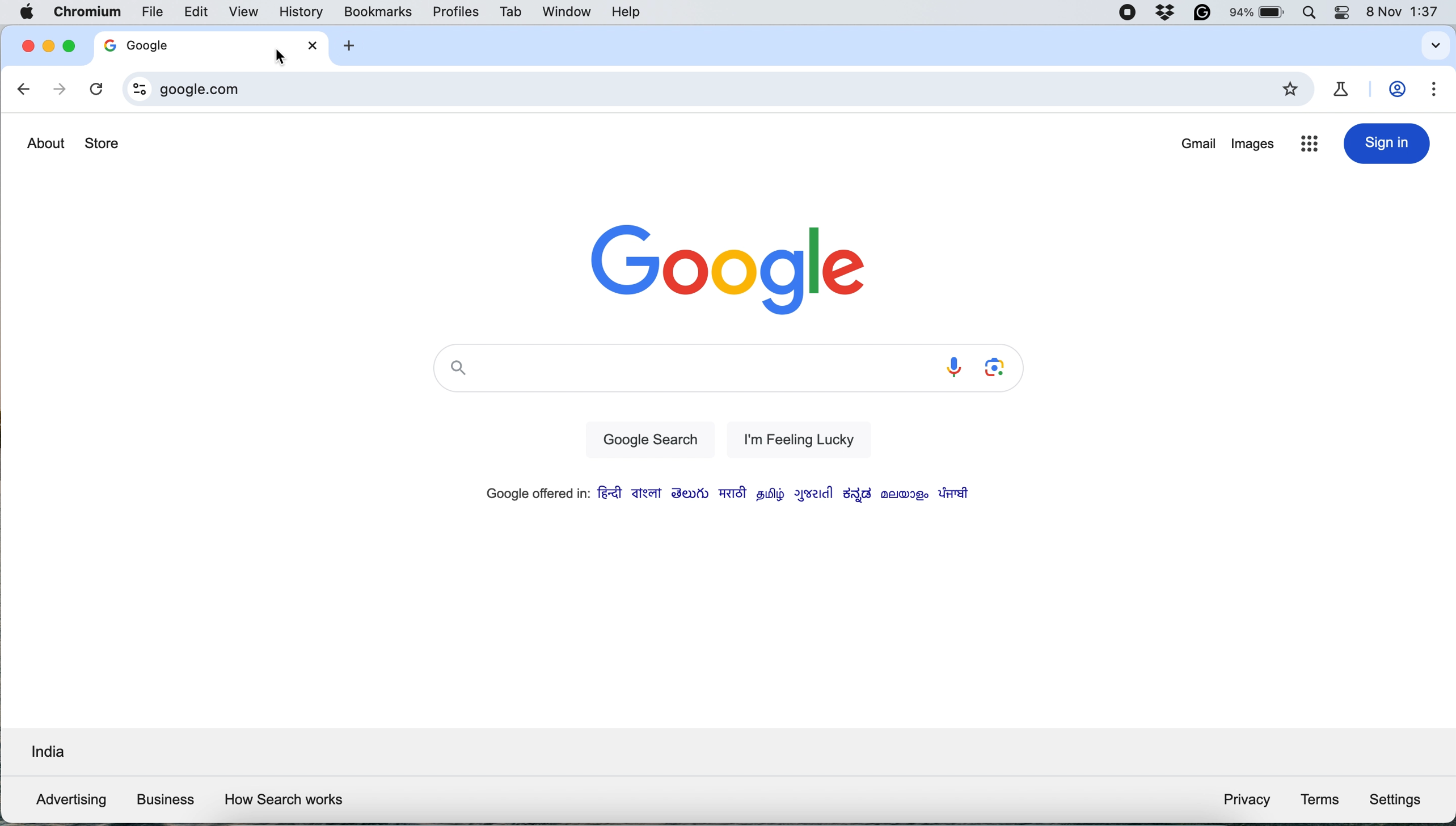  Describe the element at coordinates (647, 441) in the screenshot. I see `google search` at that location.